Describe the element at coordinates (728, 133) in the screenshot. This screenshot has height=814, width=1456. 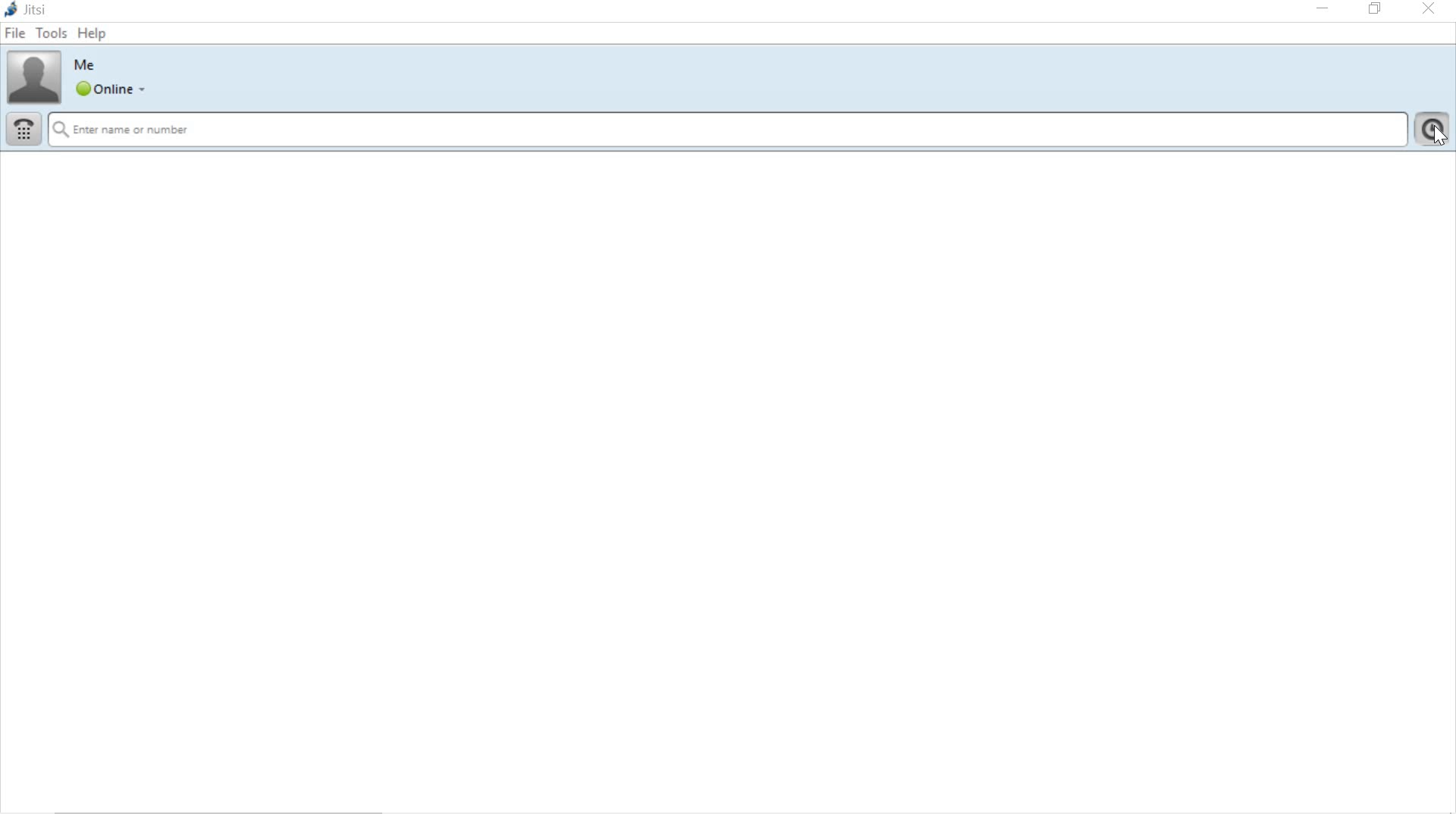
I see `search name or contact` at that location.